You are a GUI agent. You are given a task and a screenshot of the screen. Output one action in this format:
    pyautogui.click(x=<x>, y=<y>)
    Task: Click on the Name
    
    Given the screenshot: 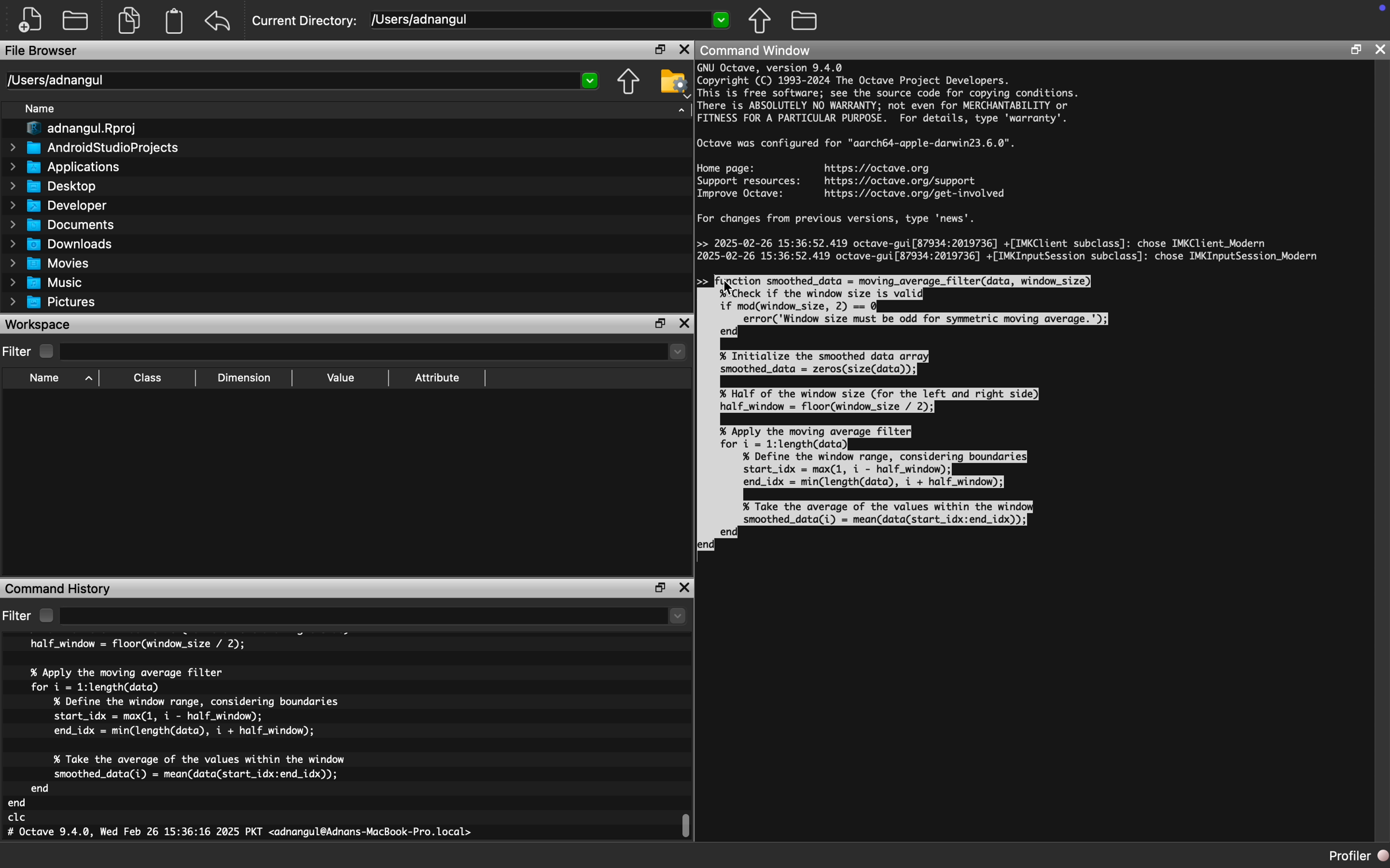 What is the action you would take?
    pyautogui.click(x=41, y=108)
    